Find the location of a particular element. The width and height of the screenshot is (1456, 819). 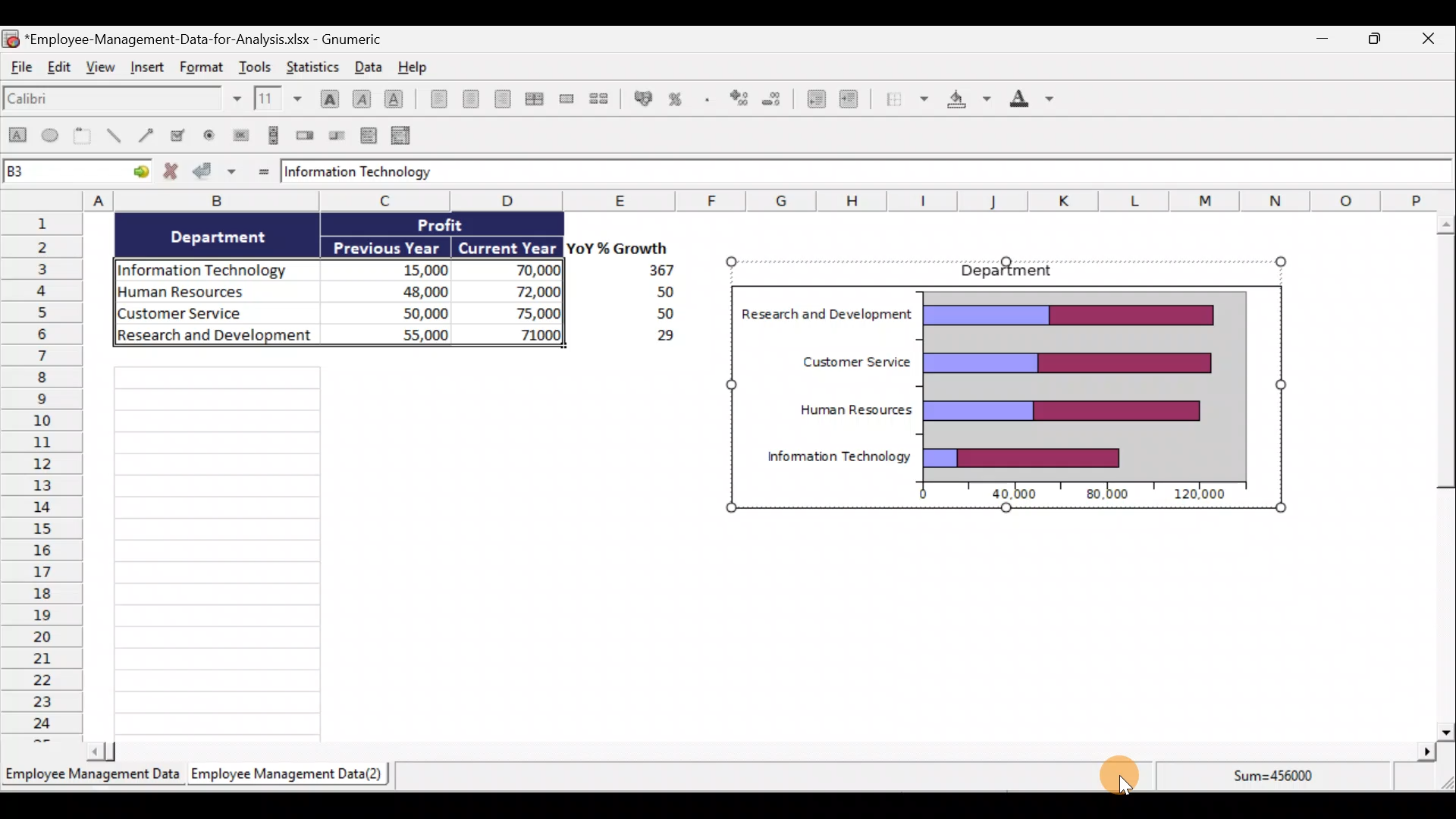

Information Technology is located at coordinates (209, 266).